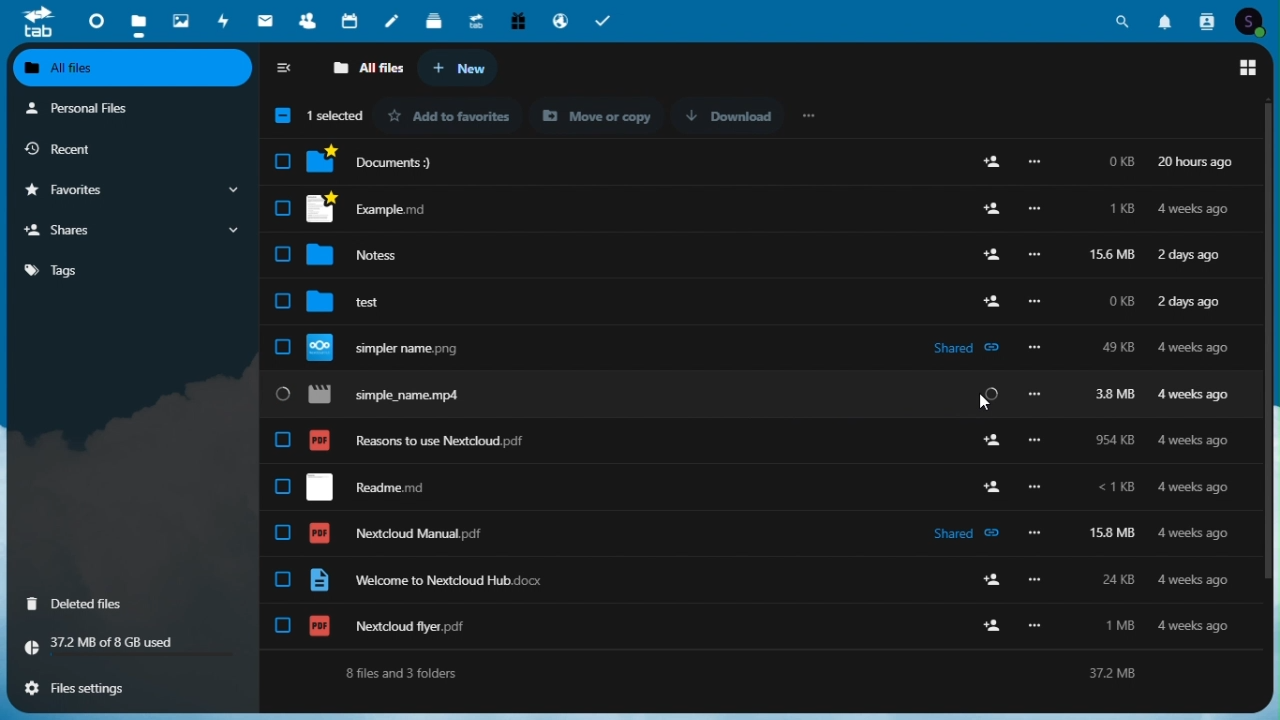  What do you see at coordinates (763, 166) in the screenshot?
I see `Document 3` at bounding box center [763, 166].